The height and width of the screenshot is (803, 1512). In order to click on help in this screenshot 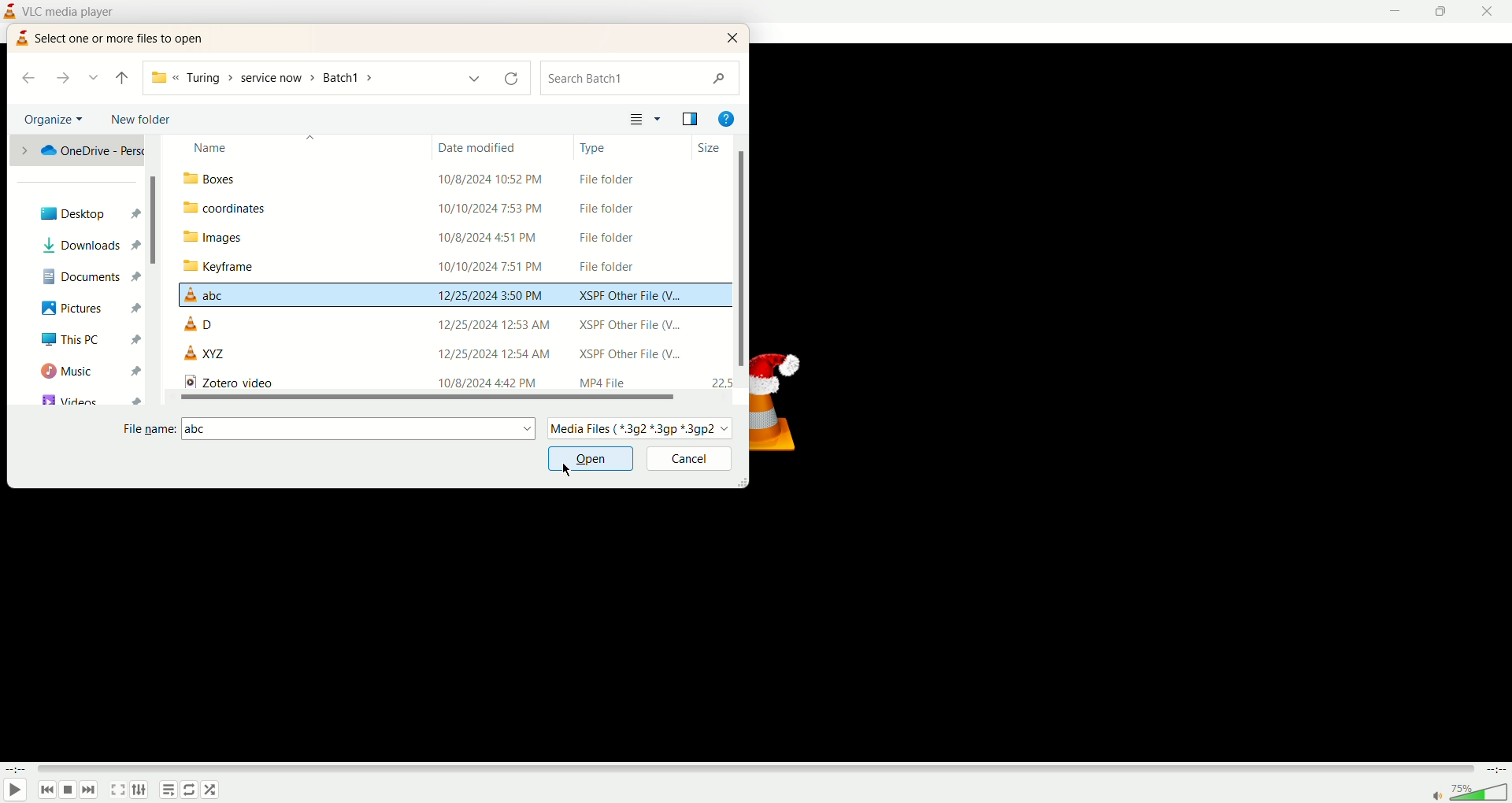, I will do `click(727, 118)`.